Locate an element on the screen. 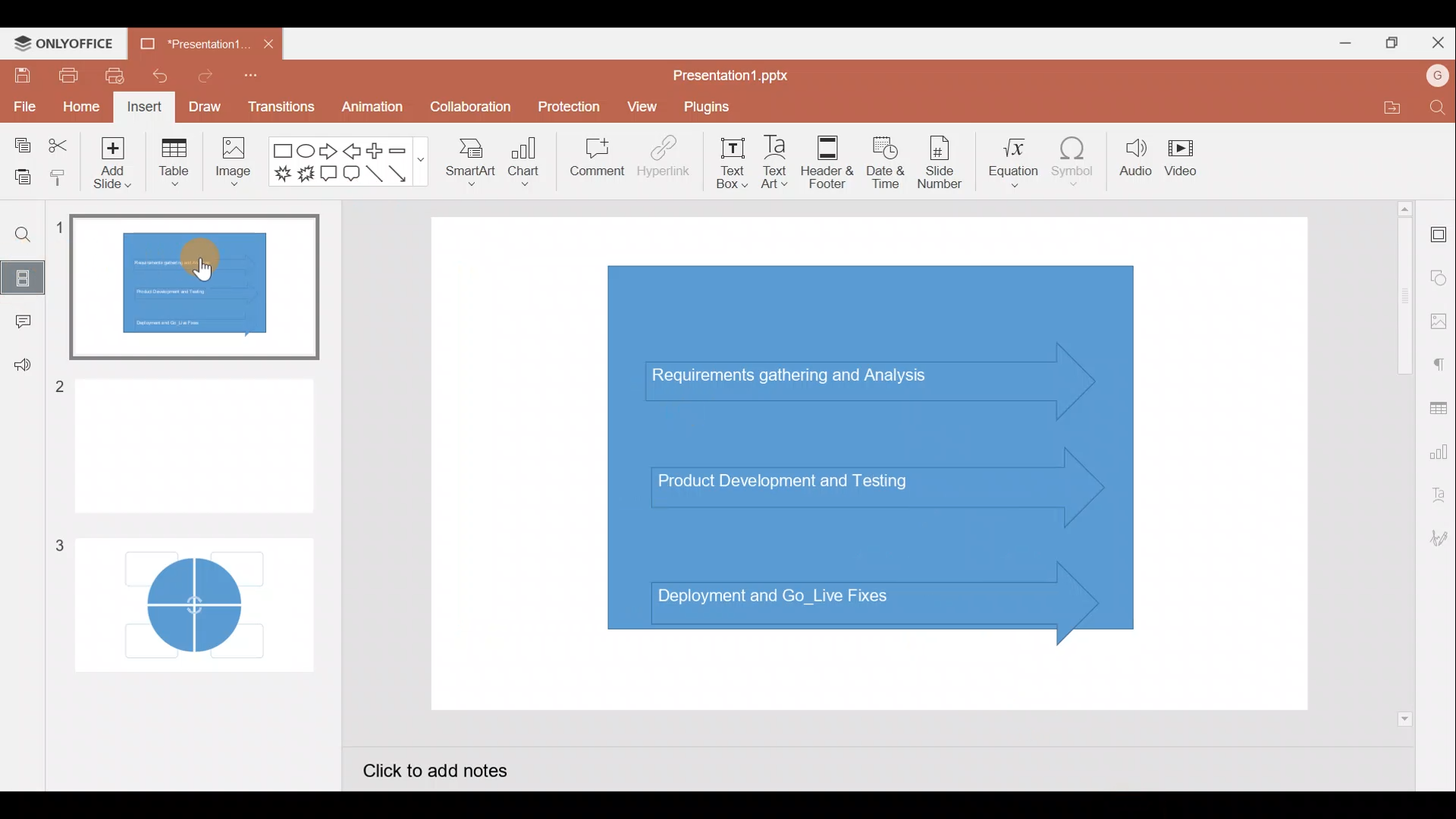 This screenshot has width=1456, height=819. Insert is located at coordinates (144, 106).